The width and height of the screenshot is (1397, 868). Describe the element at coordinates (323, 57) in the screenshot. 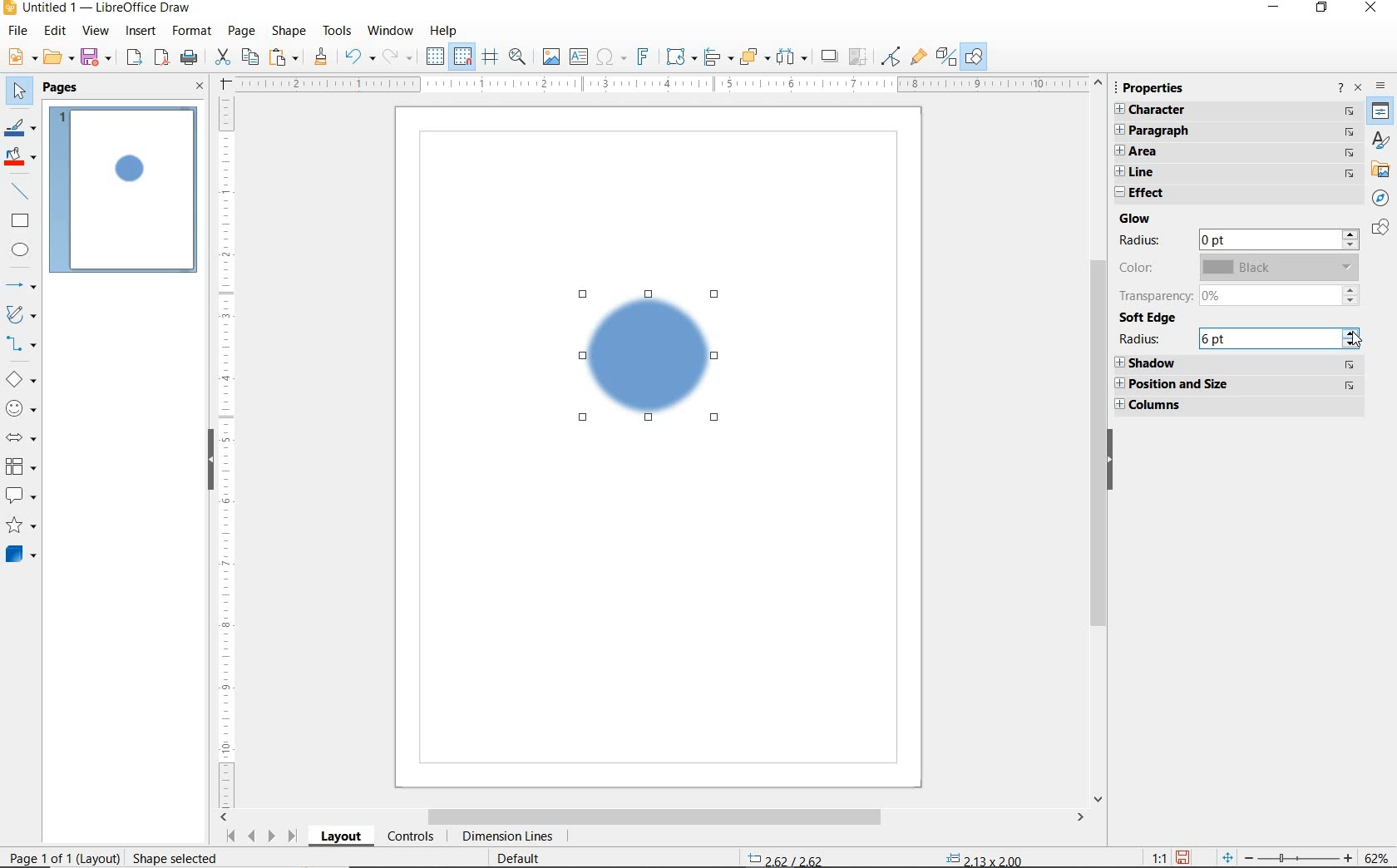

I see `CLONE FORMATTING` at that location.